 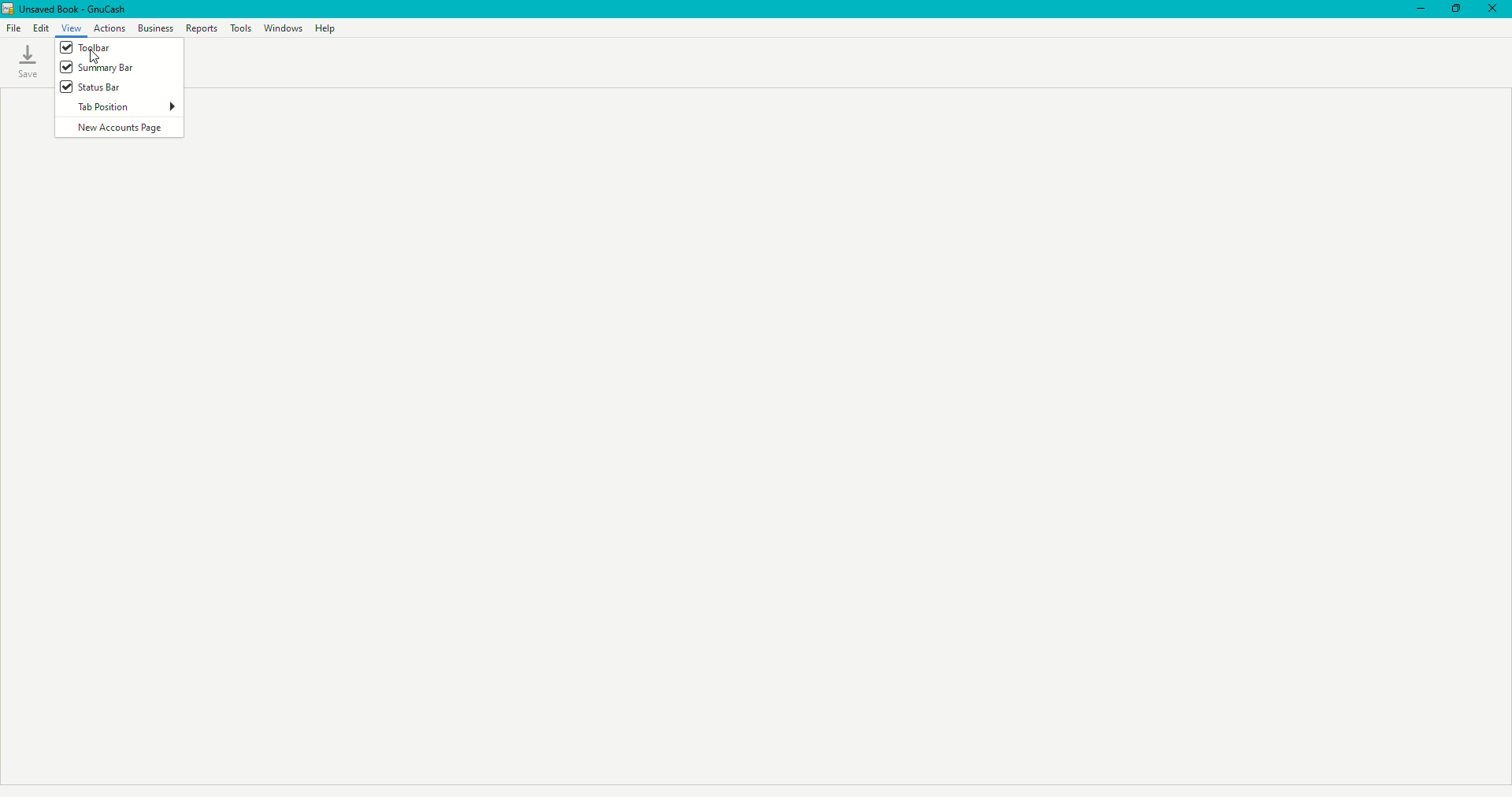 What do you see at coordinates (128, 108) in the screenshot?
I see `Tab Position` at bounding box center [128, 108].